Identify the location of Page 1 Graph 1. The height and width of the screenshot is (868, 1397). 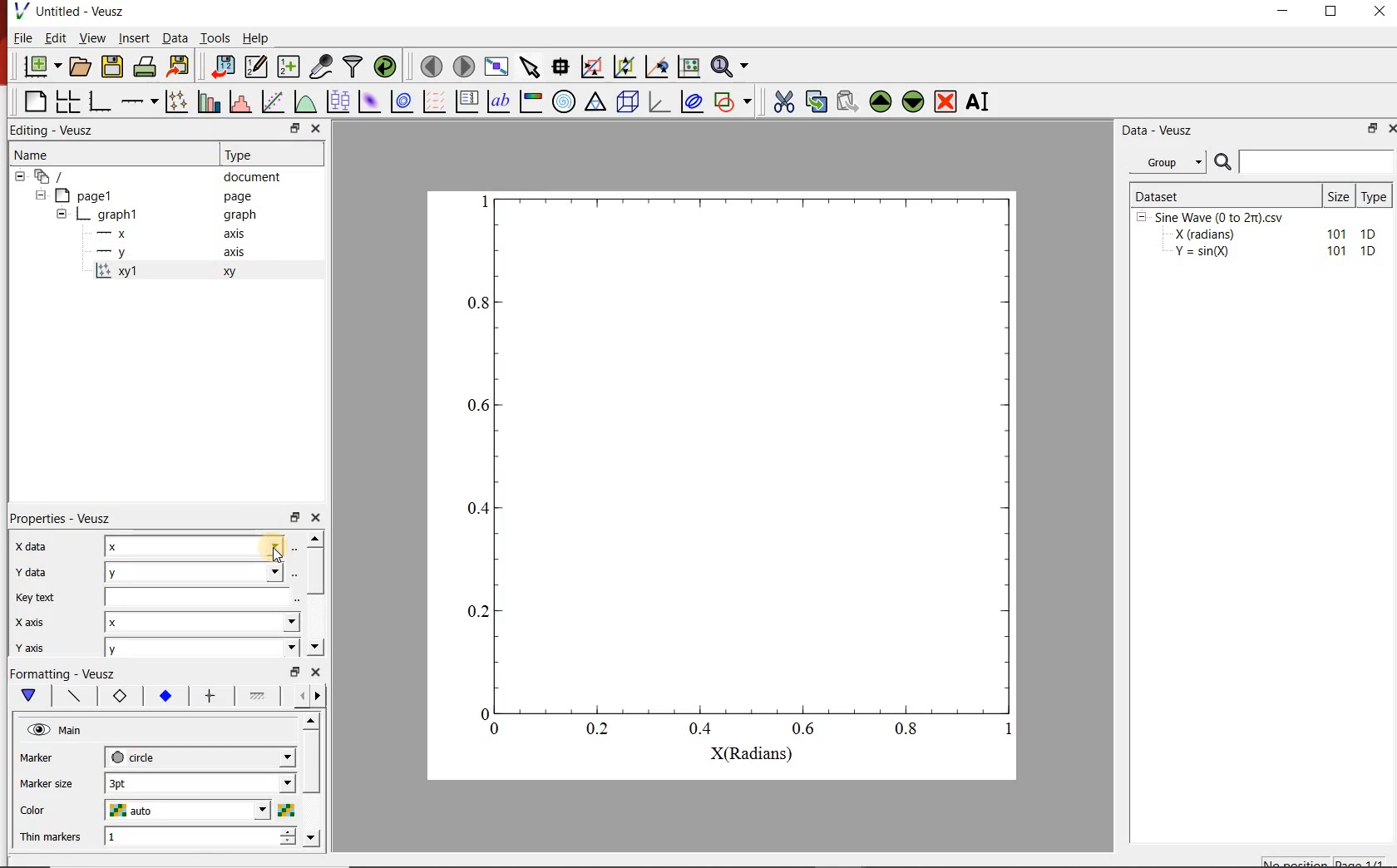
(83, 224).